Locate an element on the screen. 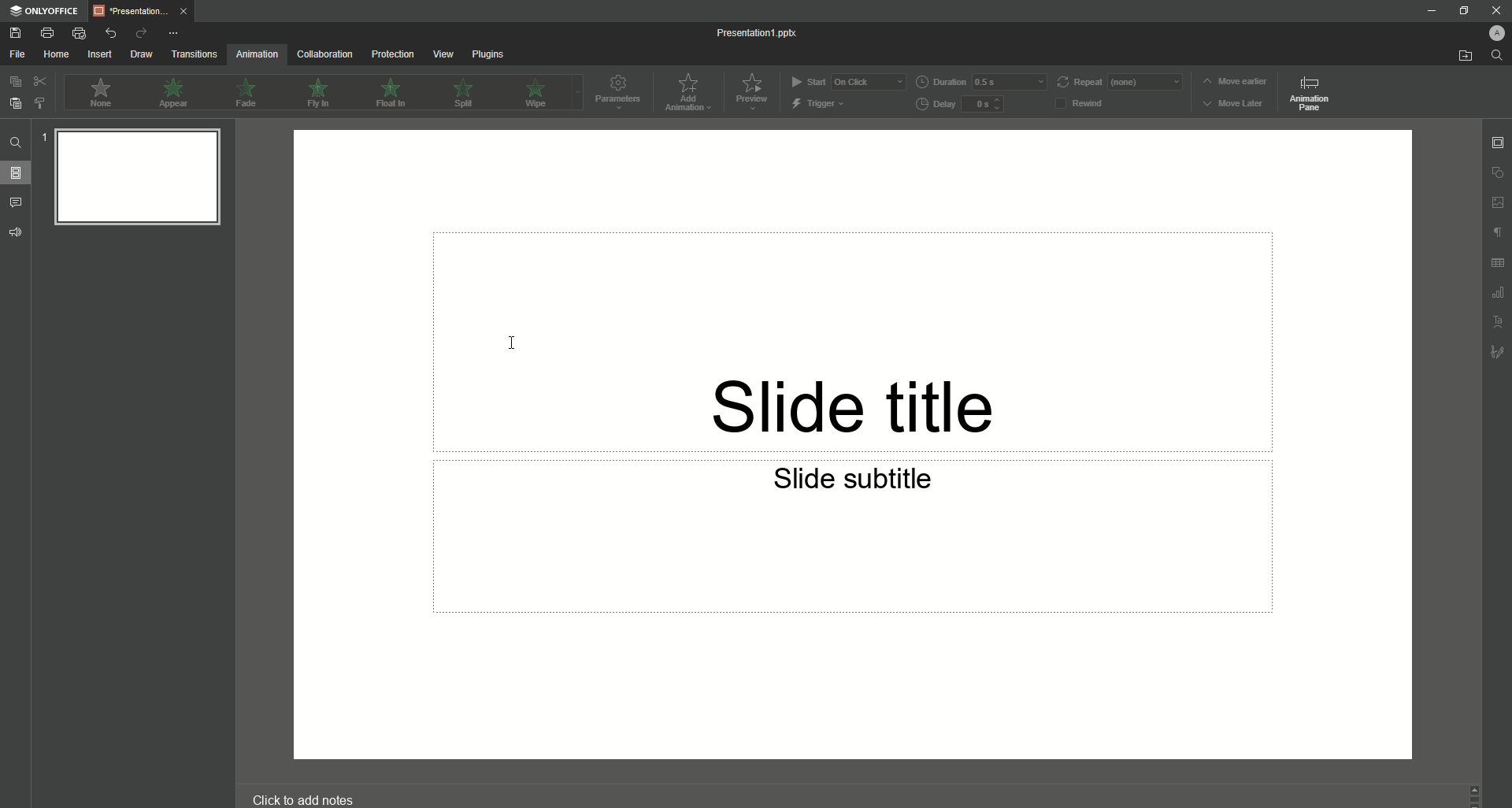  Presentation1.pptx is located at coordinates (758, 32).